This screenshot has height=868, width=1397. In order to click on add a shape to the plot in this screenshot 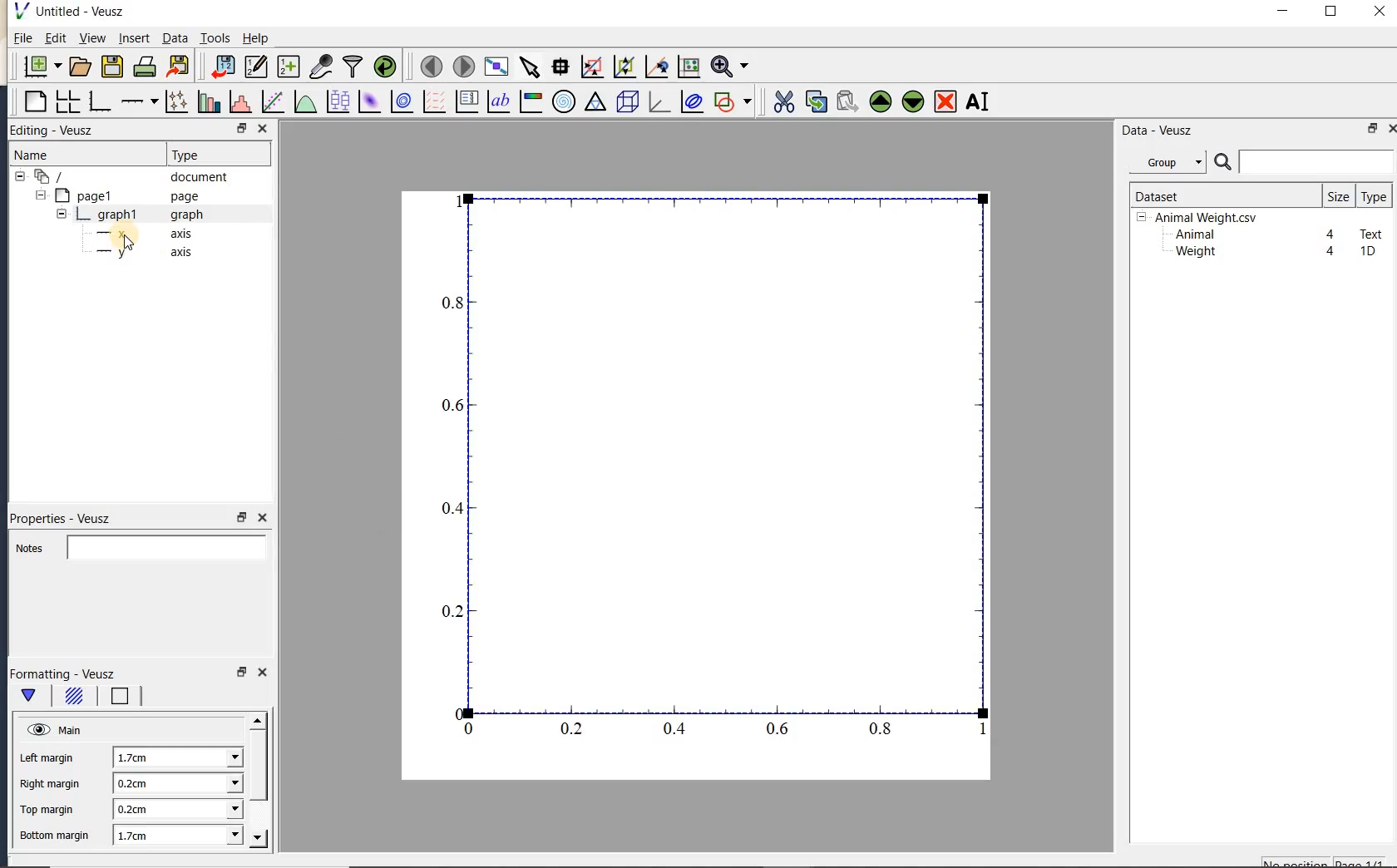, I will do `click(732, 101)`.